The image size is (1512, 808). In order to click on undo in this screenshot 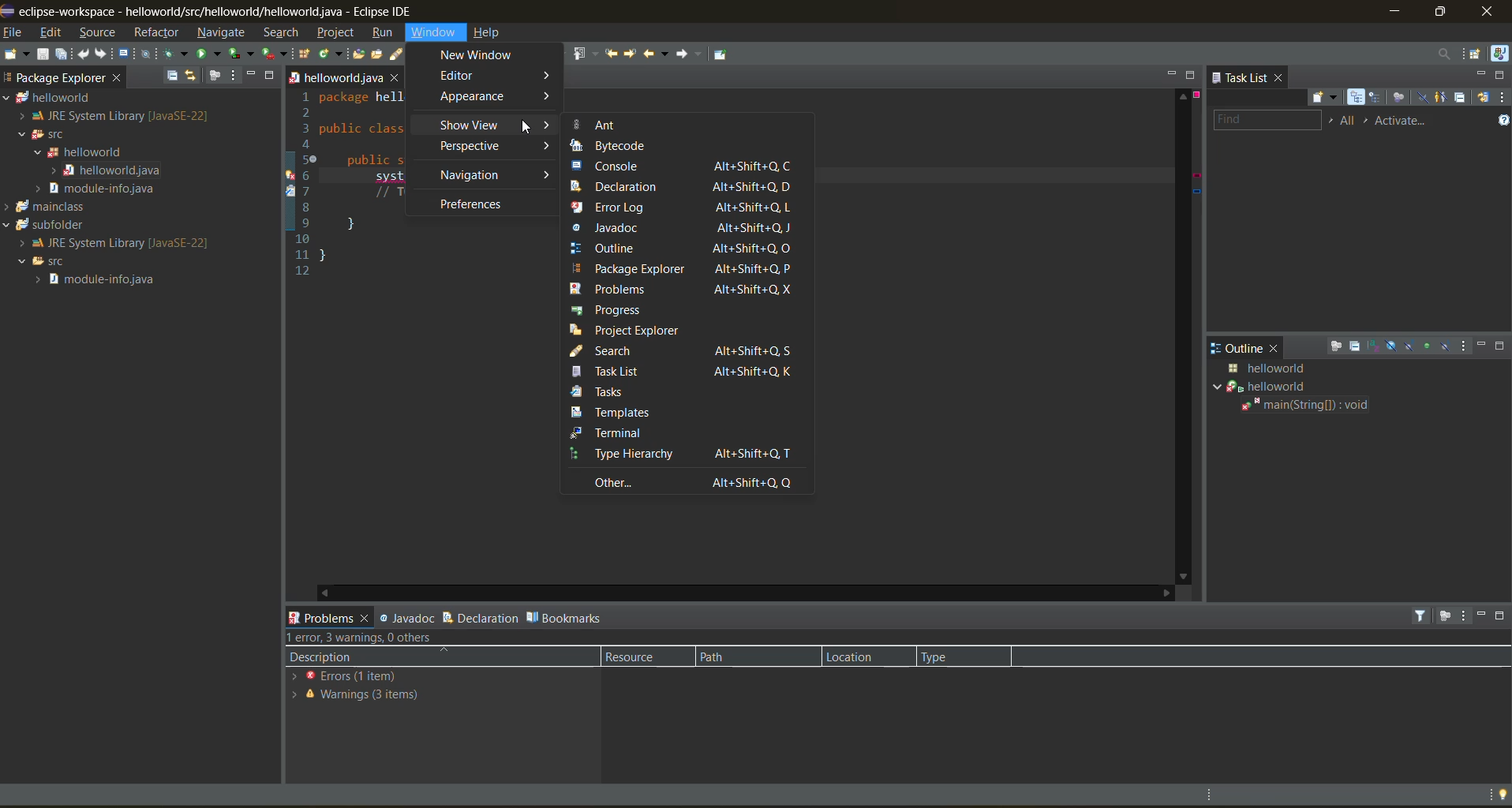, I will do `click(82, 56)`.